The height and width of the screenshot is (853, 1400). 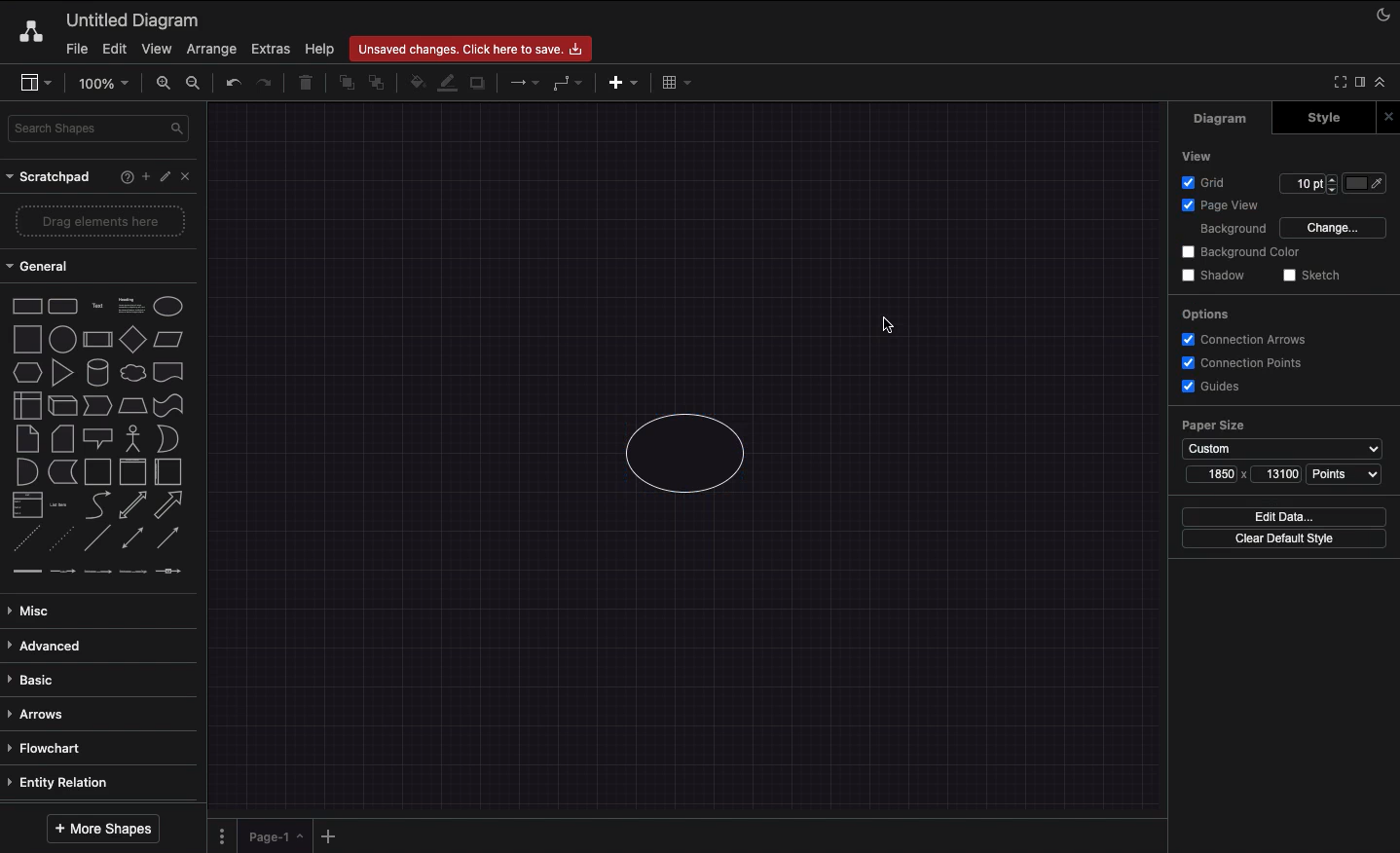 What do you see at coordinates (23, 541) in the screenshot?
I see `Dashed line` at bounding box center [23, 541].